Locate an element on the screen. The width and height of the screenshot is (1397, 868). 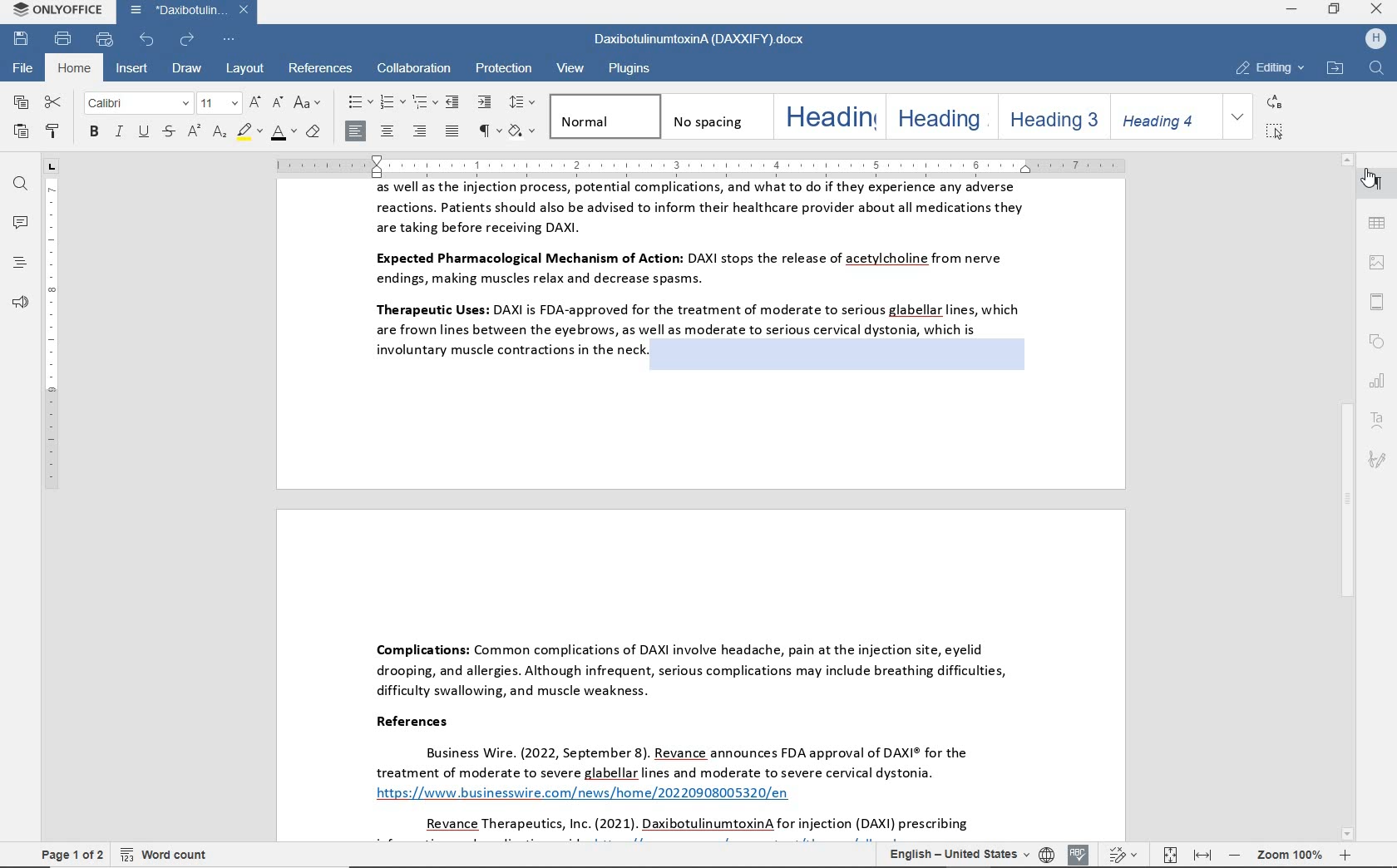
signature is located at coordinates (1380, 457).